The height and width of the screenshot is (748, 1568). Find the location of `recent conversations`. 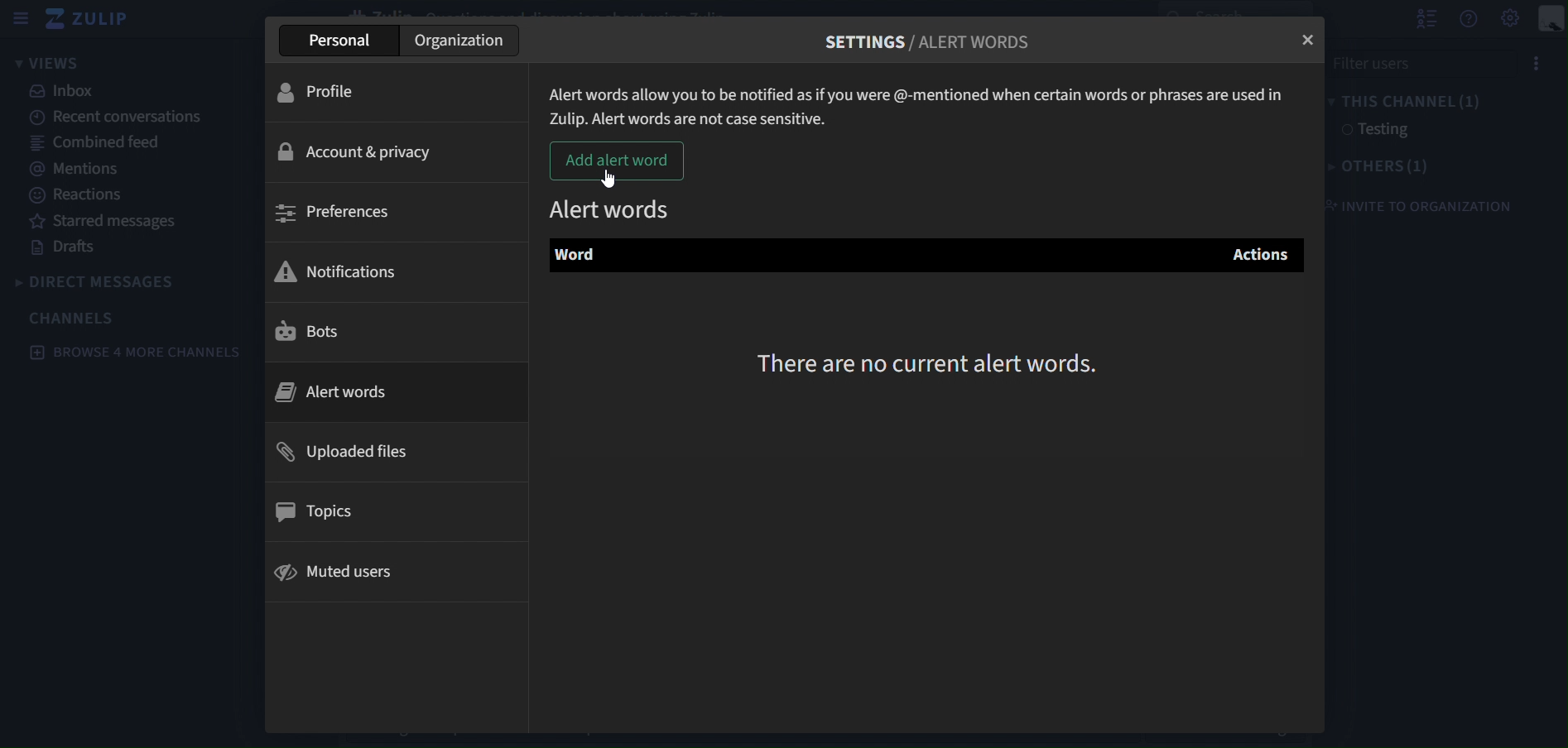

recent conversations is located at coordinates (112, 117).